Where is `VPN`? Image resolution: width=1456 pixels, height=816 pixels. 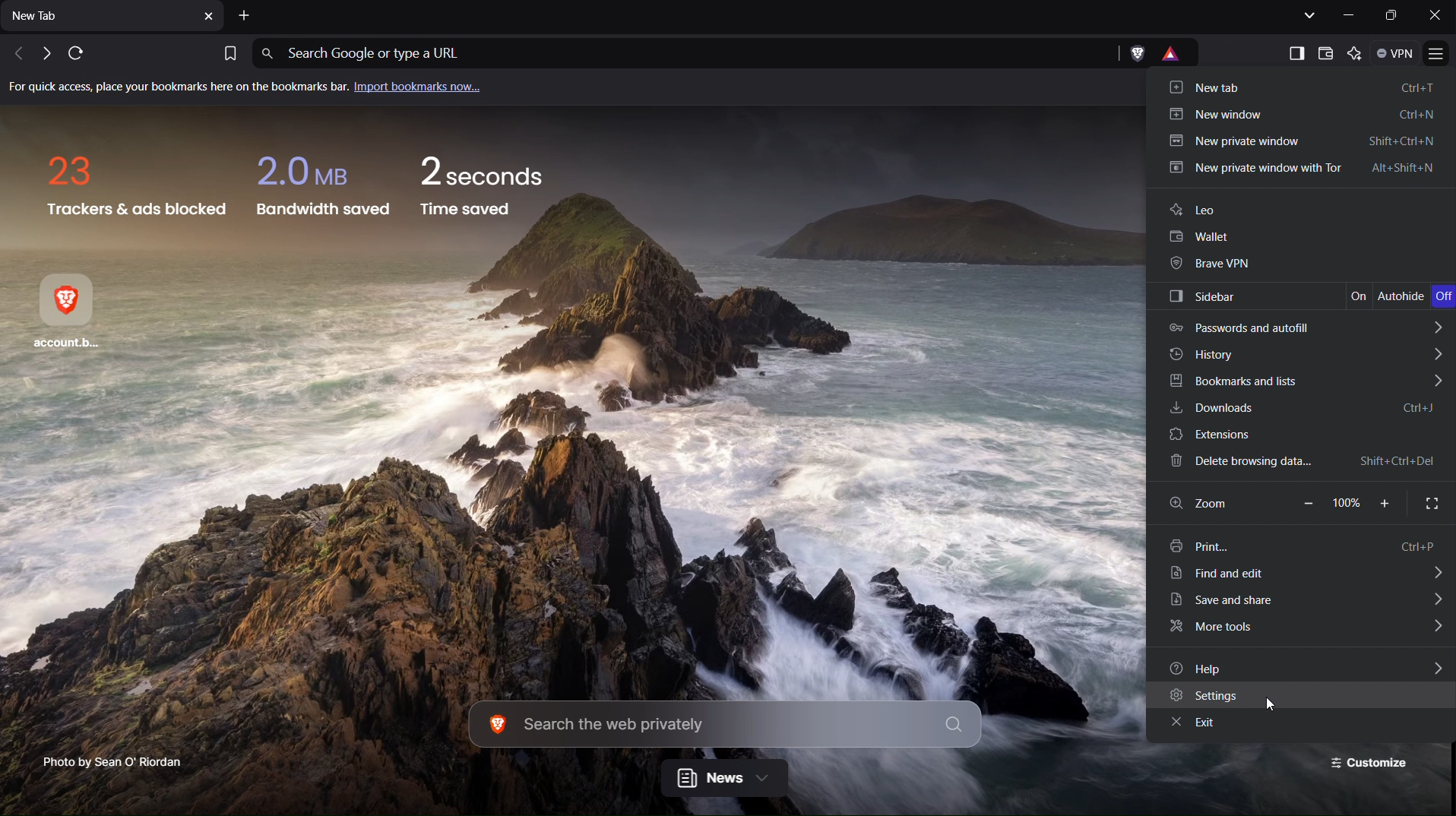
VPN is located at coordinates (1397, 54).